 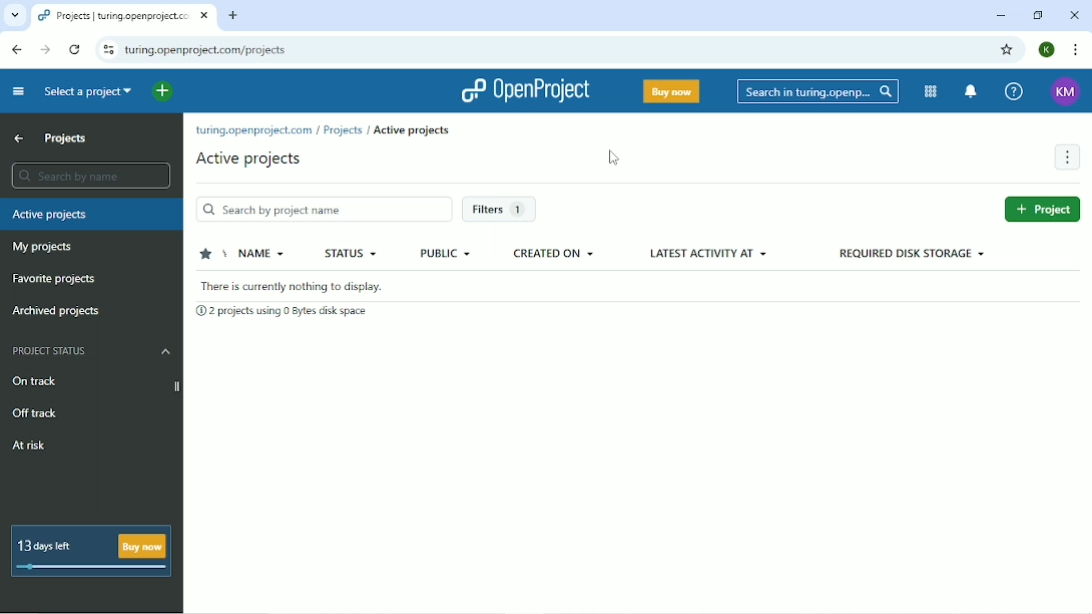 What do you see at coordinates (42, 248) in the screenshot?
I see `My projects` at bounding box center [42, 248].